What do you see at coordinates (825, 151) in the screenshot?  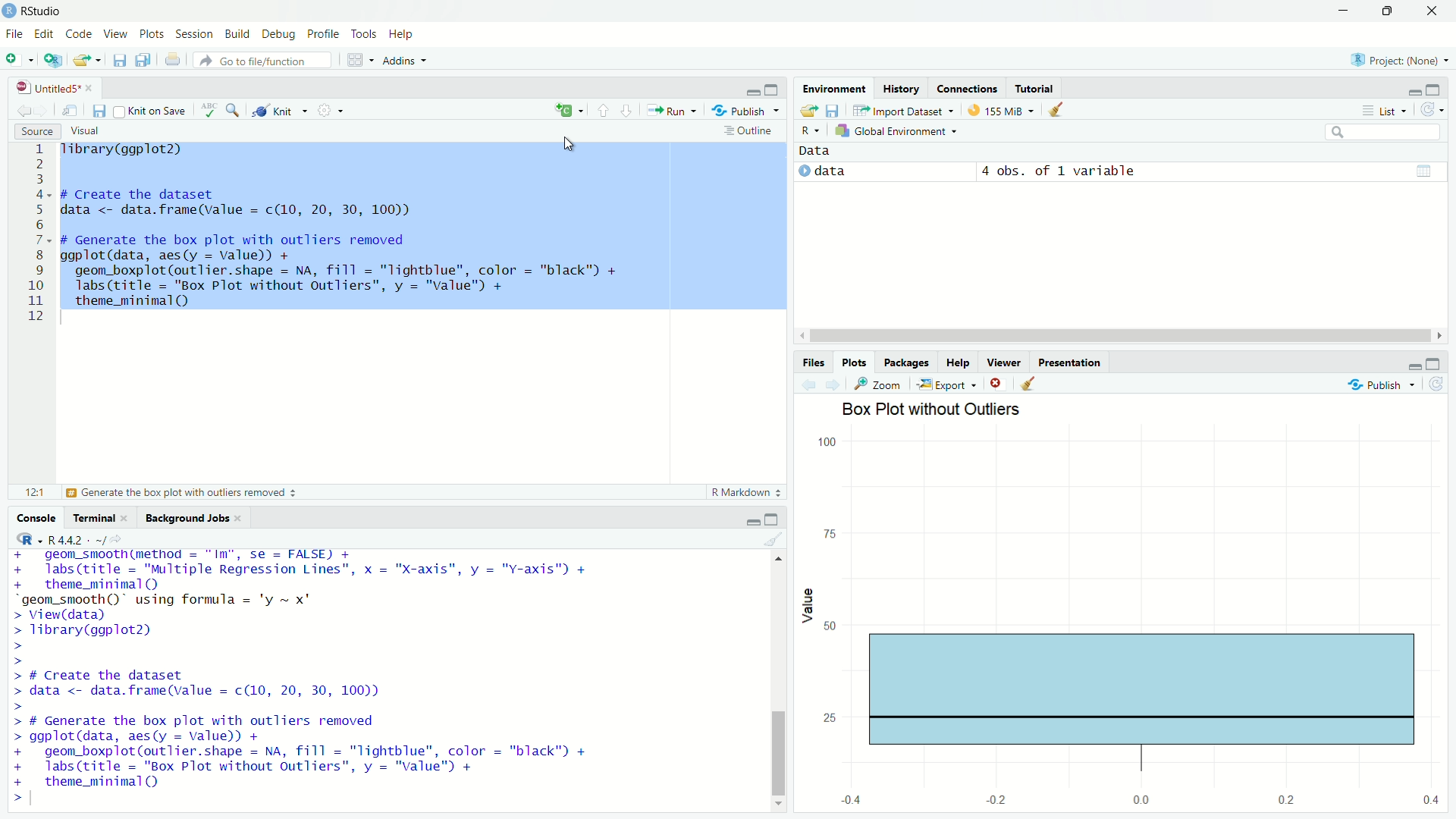 I see `data` at bounding box center [825, 151].